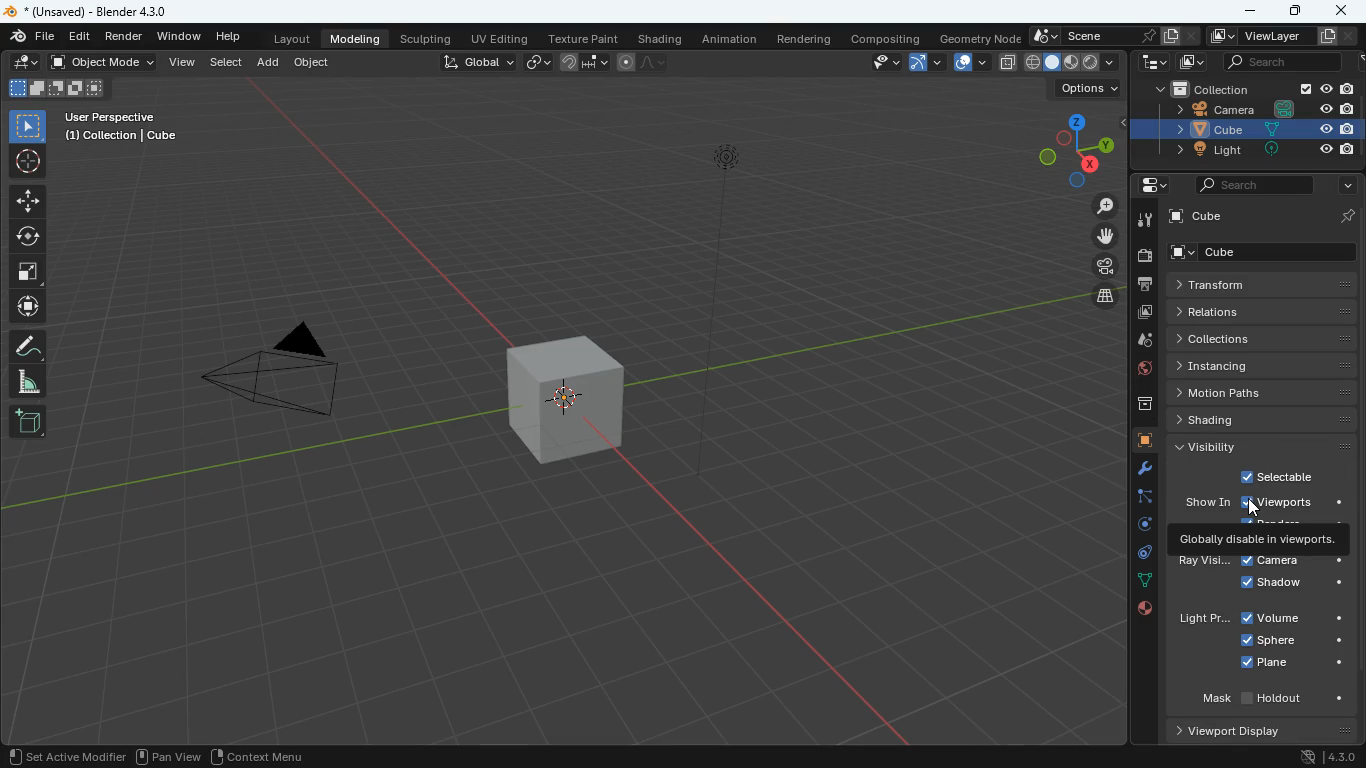  Describe the element at coordinates (1138, 441) in the screenshot. I see `cube` at that location.